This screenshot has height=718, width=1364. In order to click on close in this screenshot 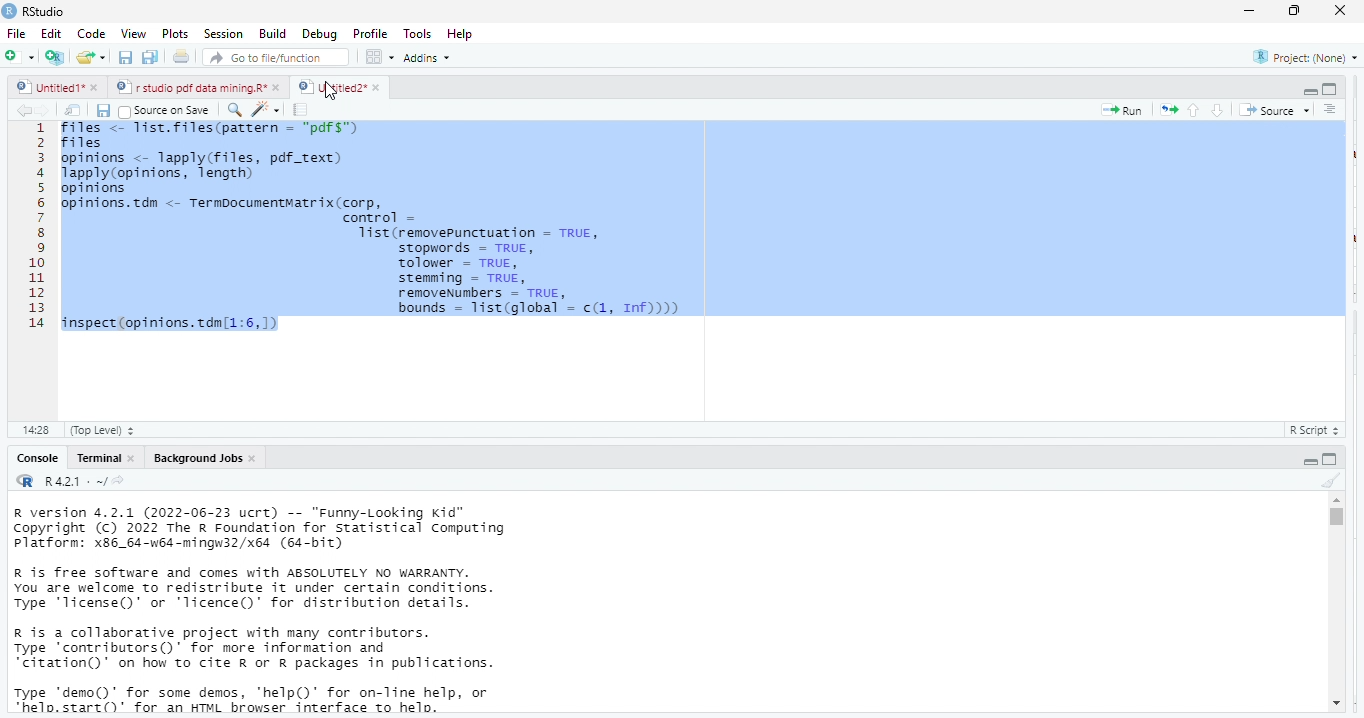, I will do `click(132, 458)`.